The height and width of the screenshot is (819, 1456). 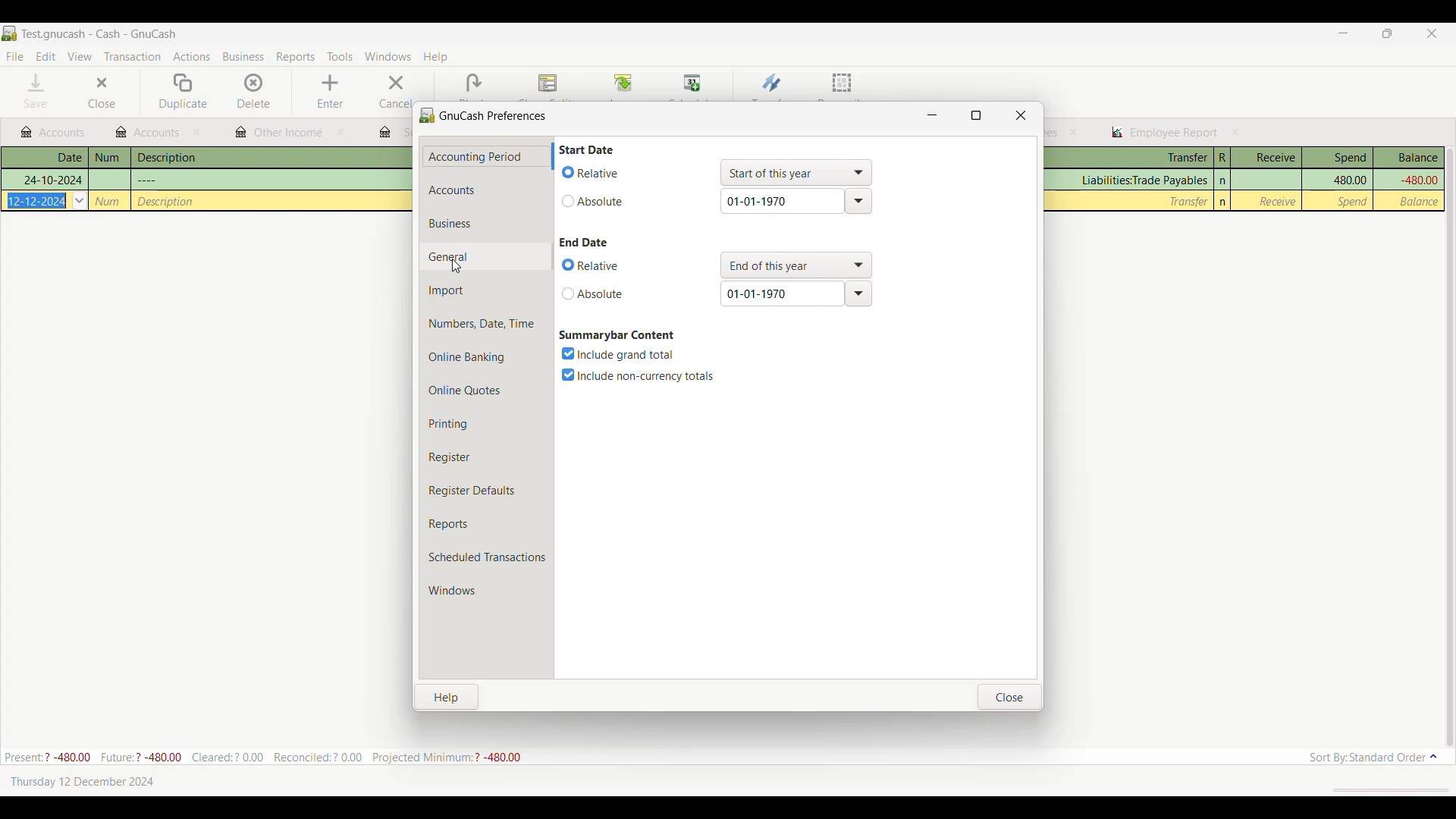 I want to click on Actions menu, so click(x=192, y=56).